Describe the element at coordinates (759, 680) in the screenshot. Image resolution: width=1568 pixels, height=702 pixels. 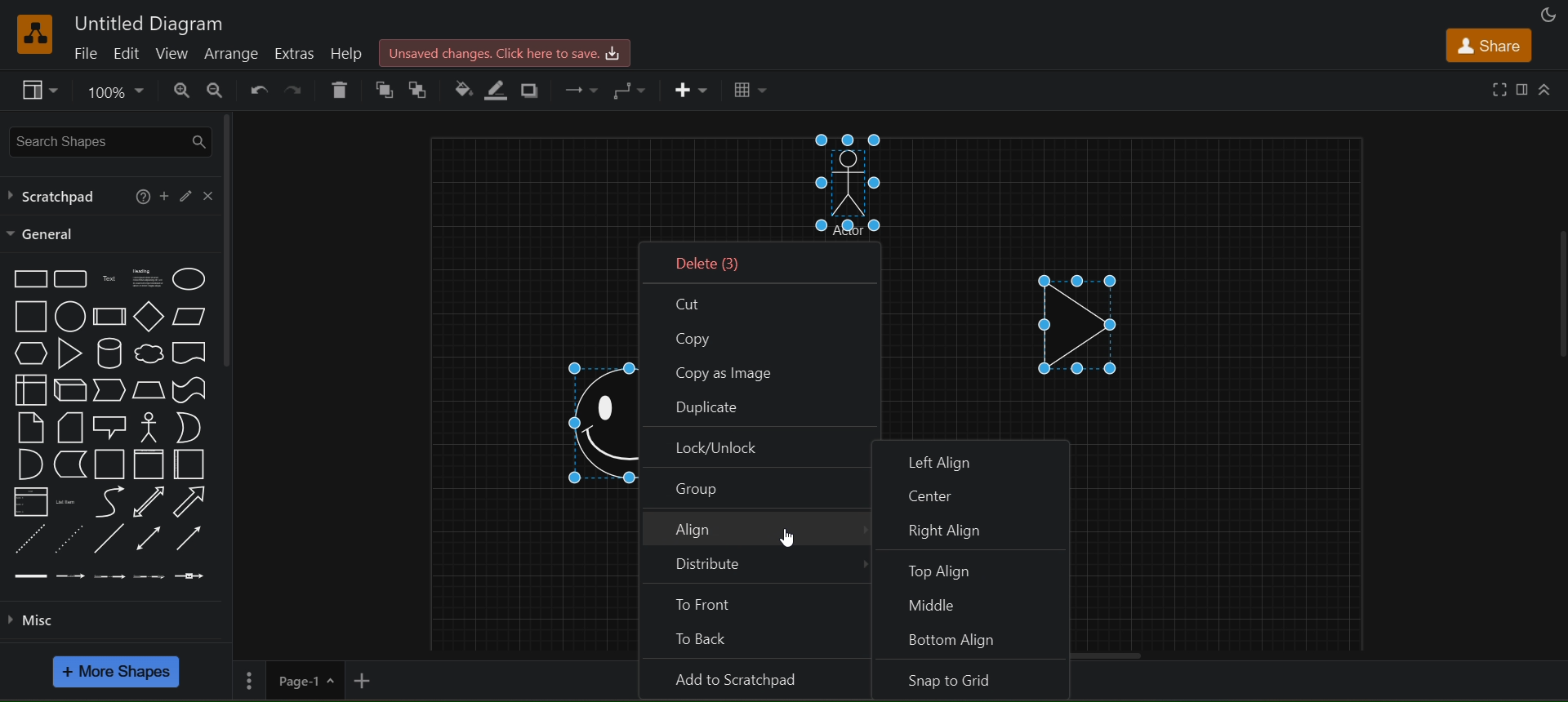
I see `add to scratchpad` at that location.